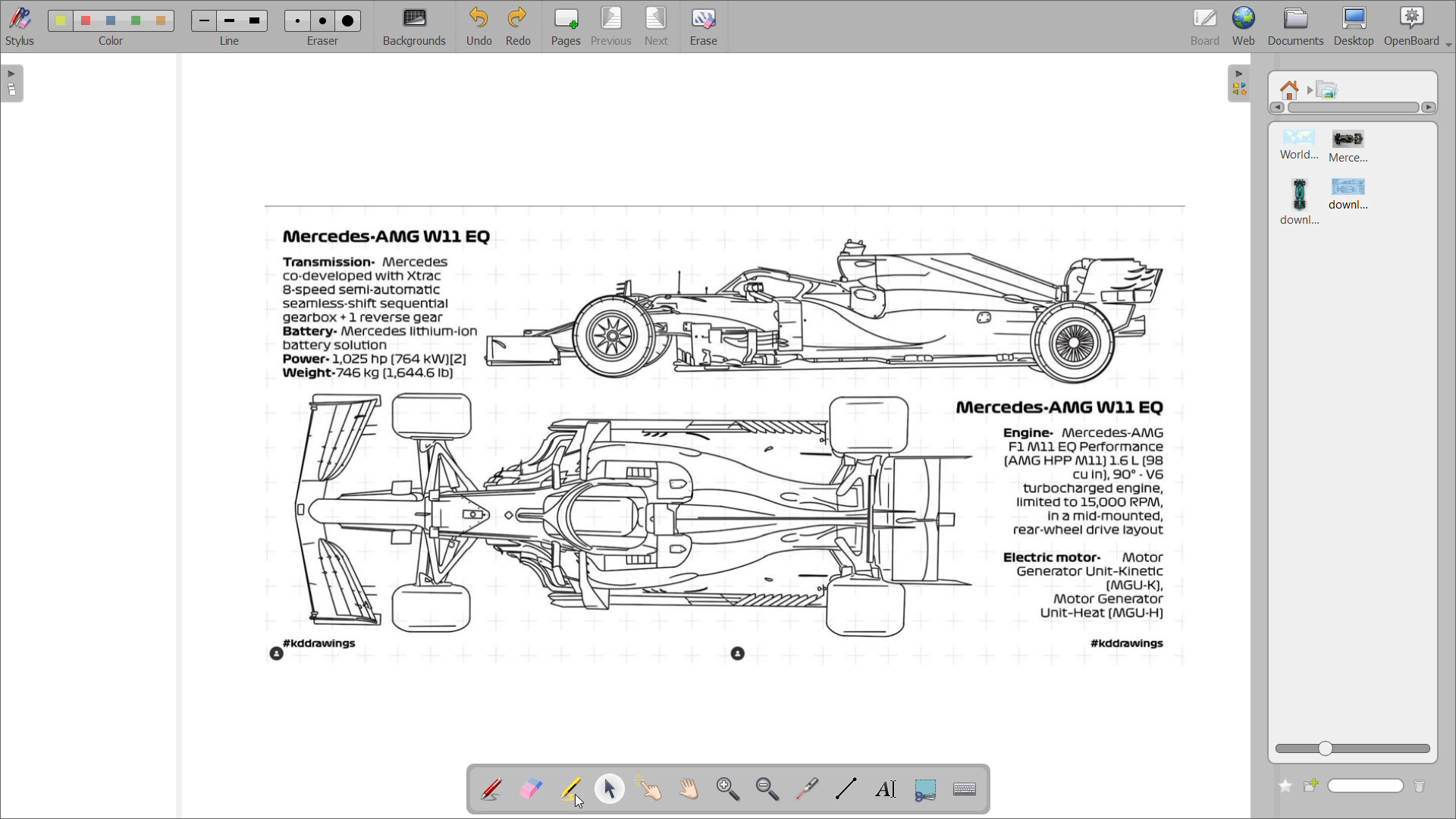 This screenshot has width=1456, height=819. What do you see at coordinates (727, 432) in the screenshot?
I see `image` at bounding box center [727, 432].